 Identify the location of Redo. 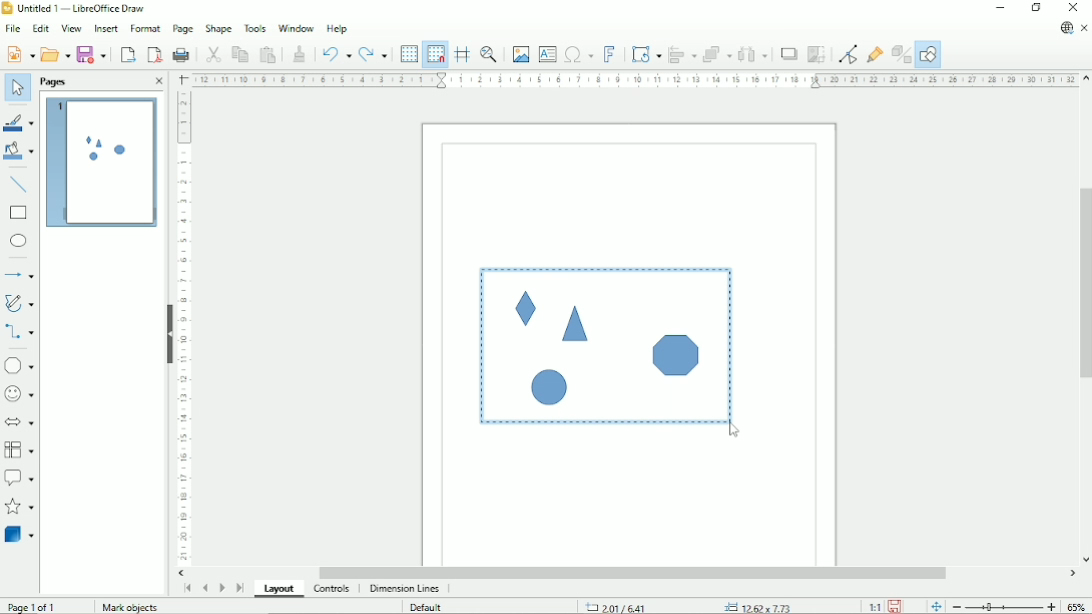
(374, 55).